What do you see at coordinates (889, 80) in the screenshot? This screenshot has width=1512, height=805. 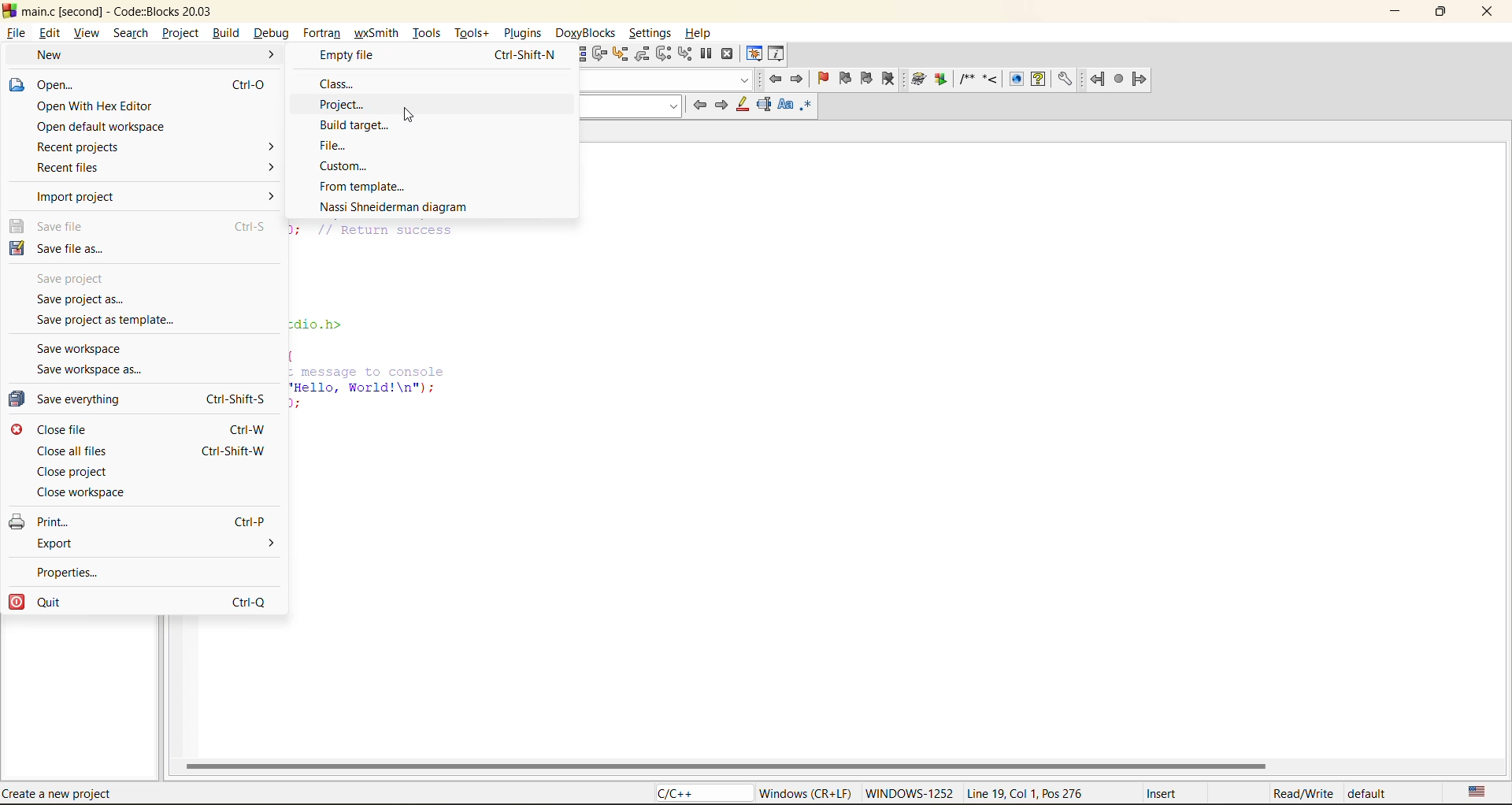 I see `clear bookmark` at bounding box center [889, 80].